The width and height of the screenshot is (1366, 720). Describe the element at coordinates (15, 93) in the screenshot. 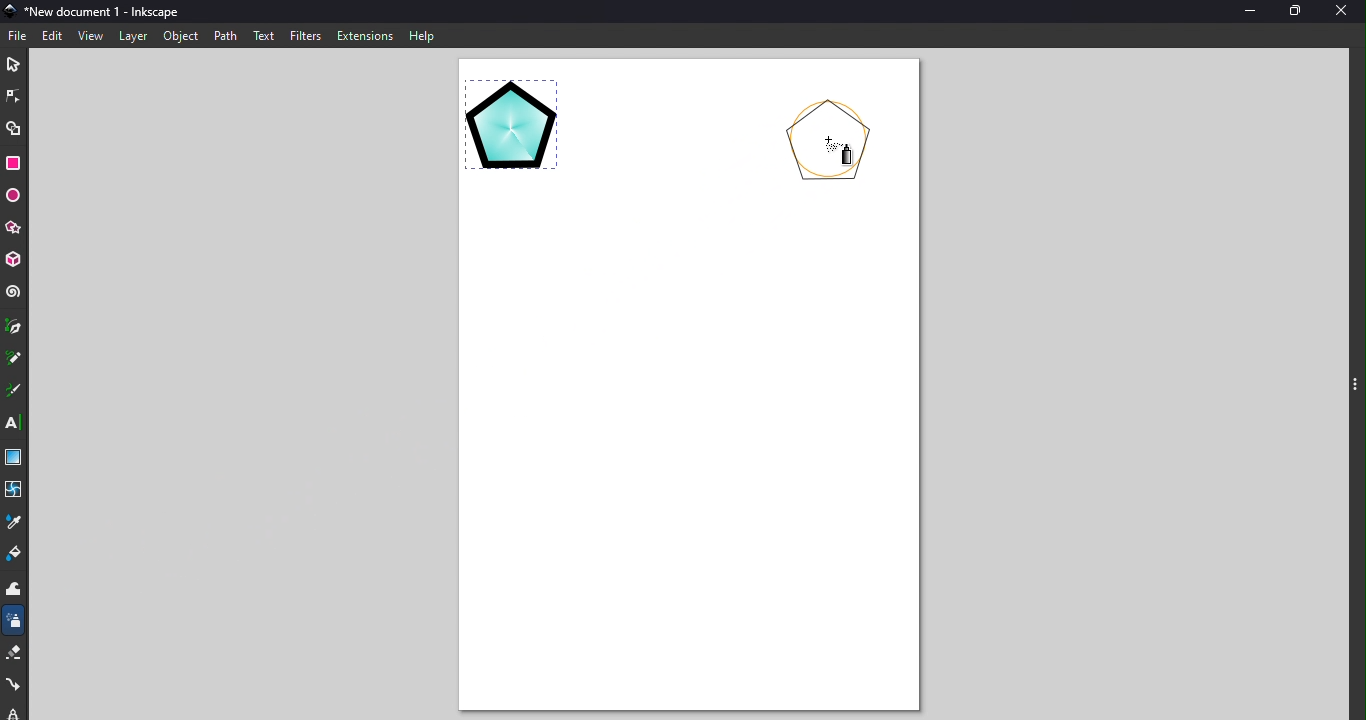

I see `Node tool` at that location.